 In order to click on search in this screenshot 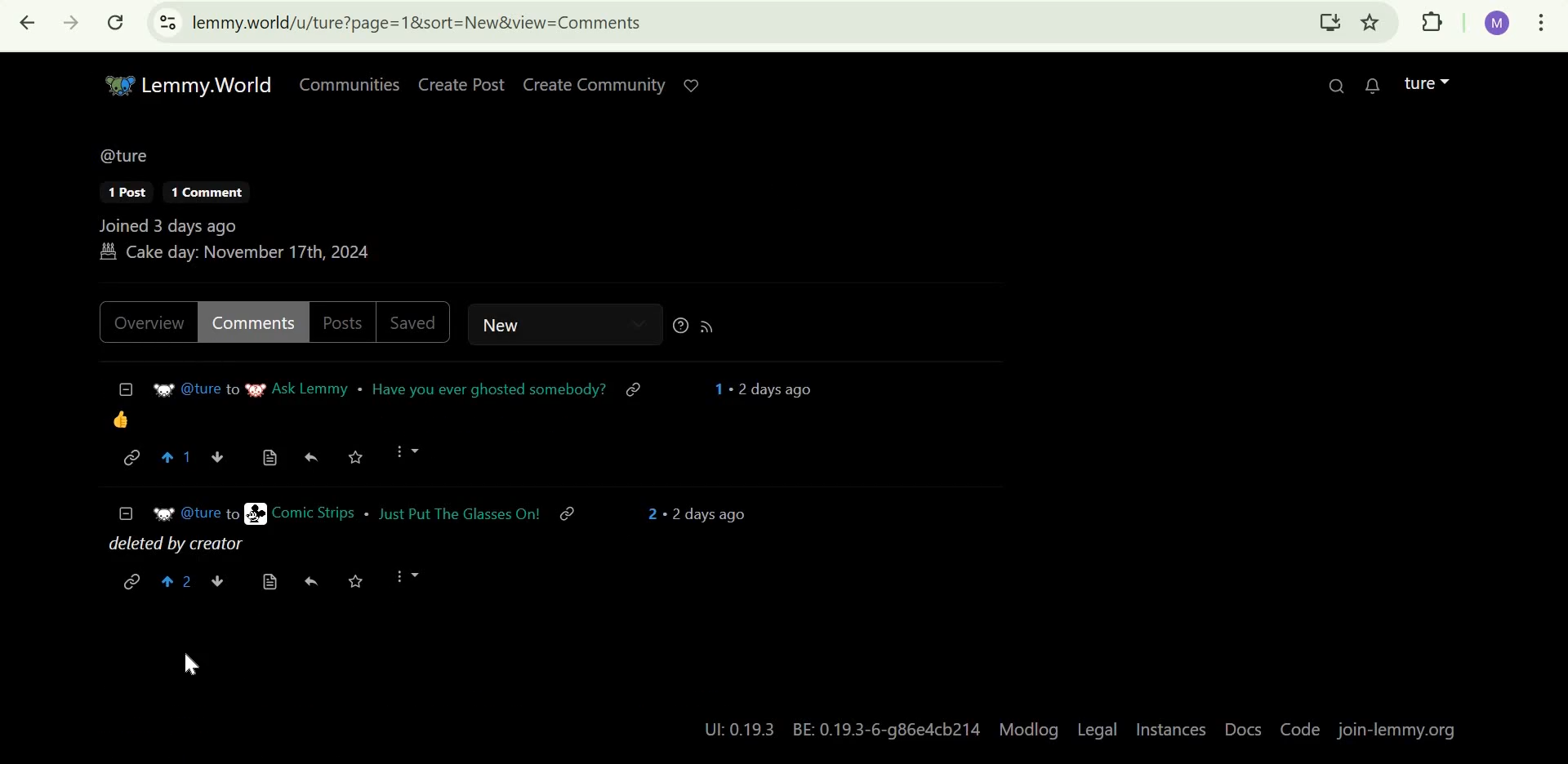, I will do `click(1327, 84)`.